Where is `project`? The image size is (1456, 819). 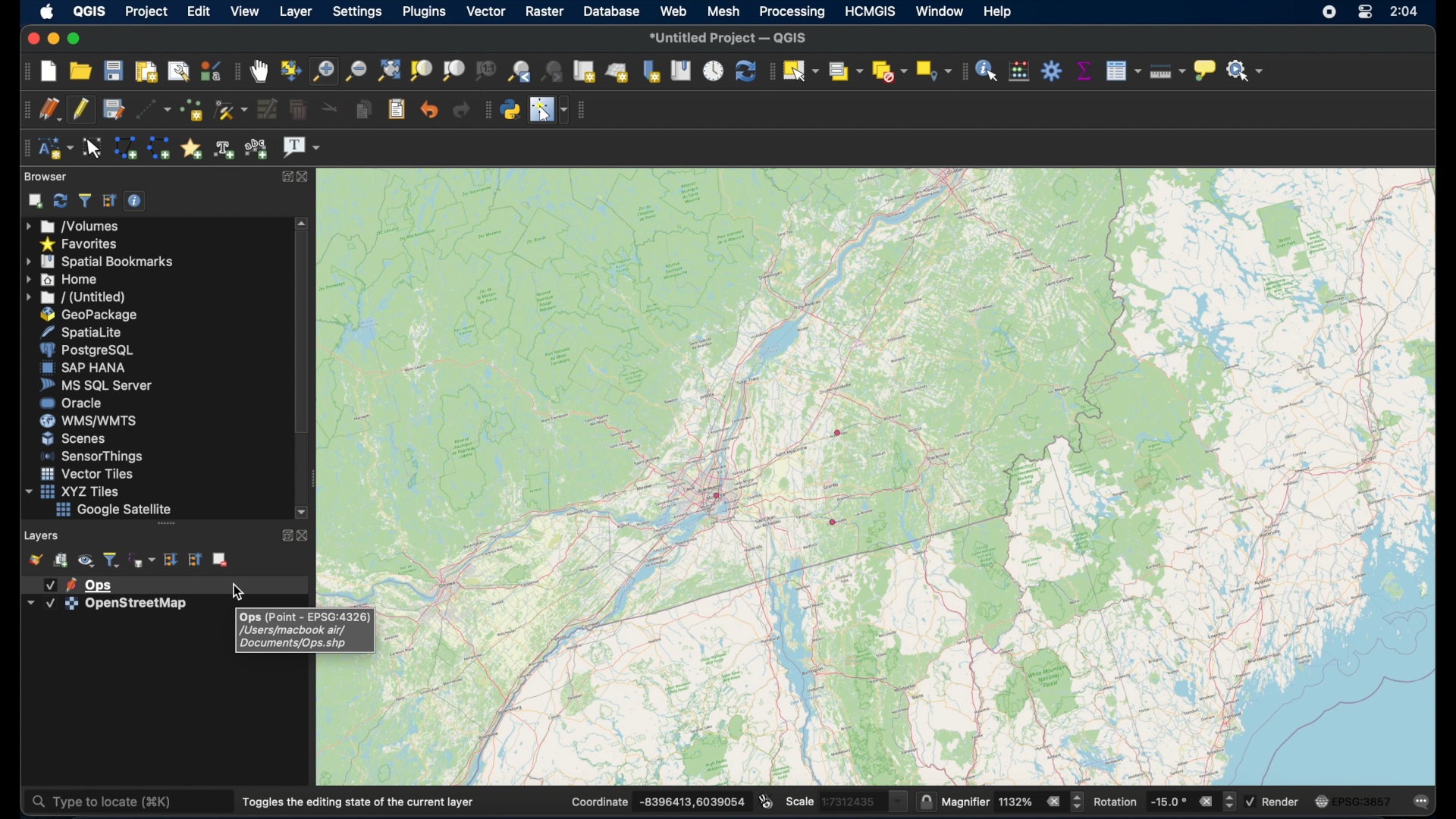
project is located at coordinates (147, 12).